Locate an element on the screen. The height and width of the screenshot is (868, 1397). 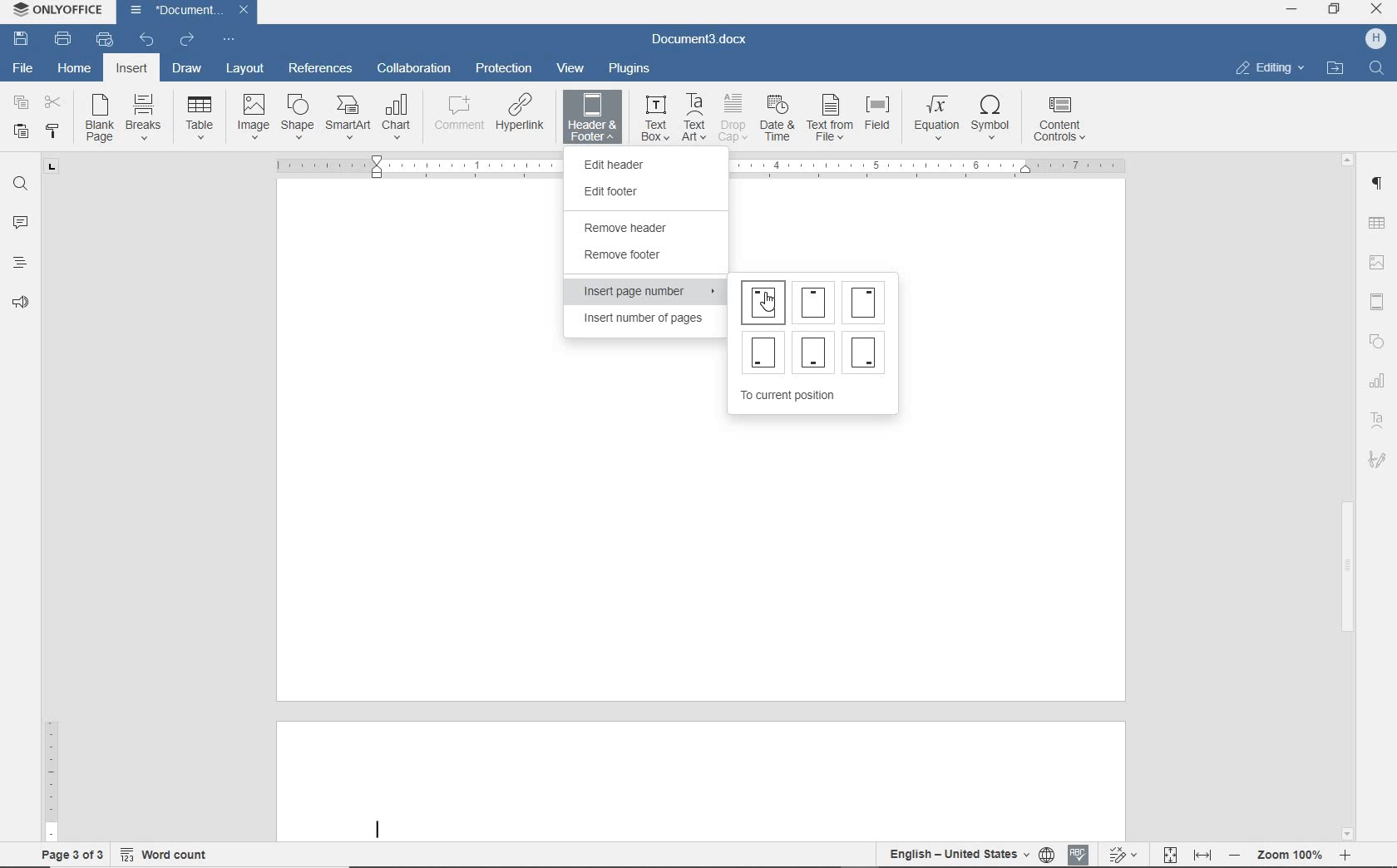
Shapes is located at coordinates (1381, 343).